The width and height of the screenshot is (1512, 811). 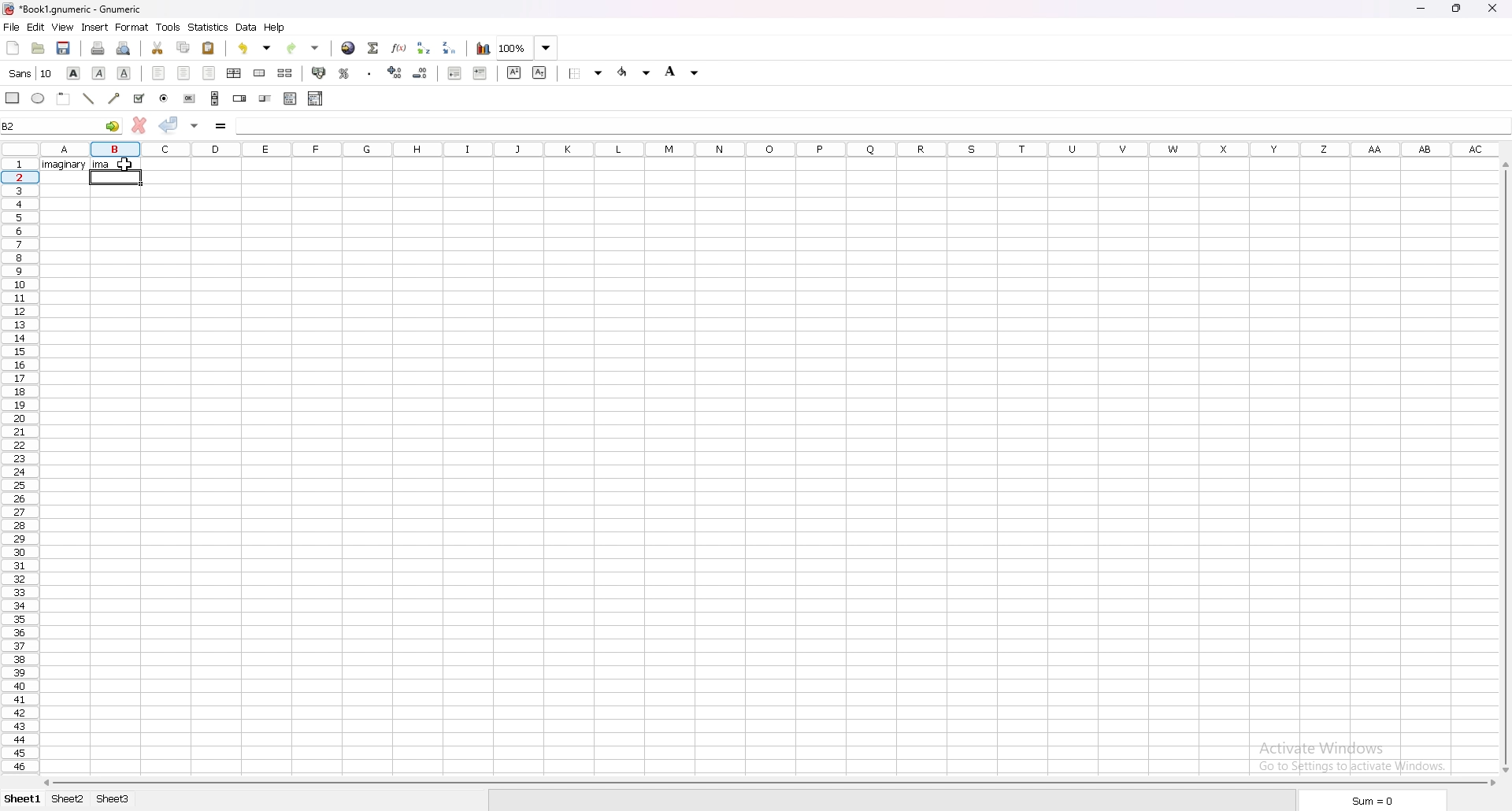 I want to click on list, so click(x=291, y=99).